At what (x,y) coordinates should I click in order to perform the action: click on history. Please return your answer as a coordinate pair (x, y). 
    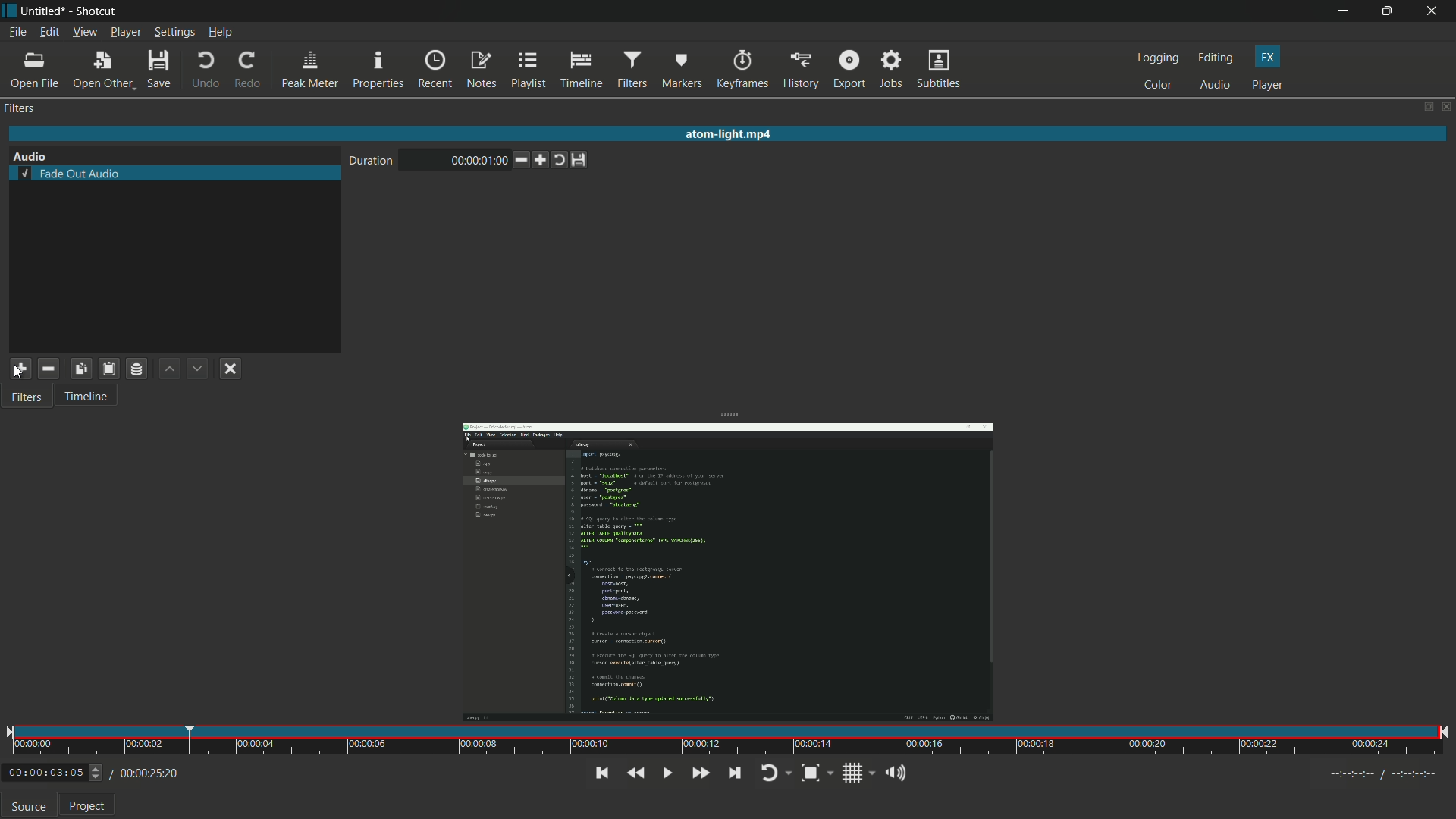
    Looking at the image, I should click on (800, 69).